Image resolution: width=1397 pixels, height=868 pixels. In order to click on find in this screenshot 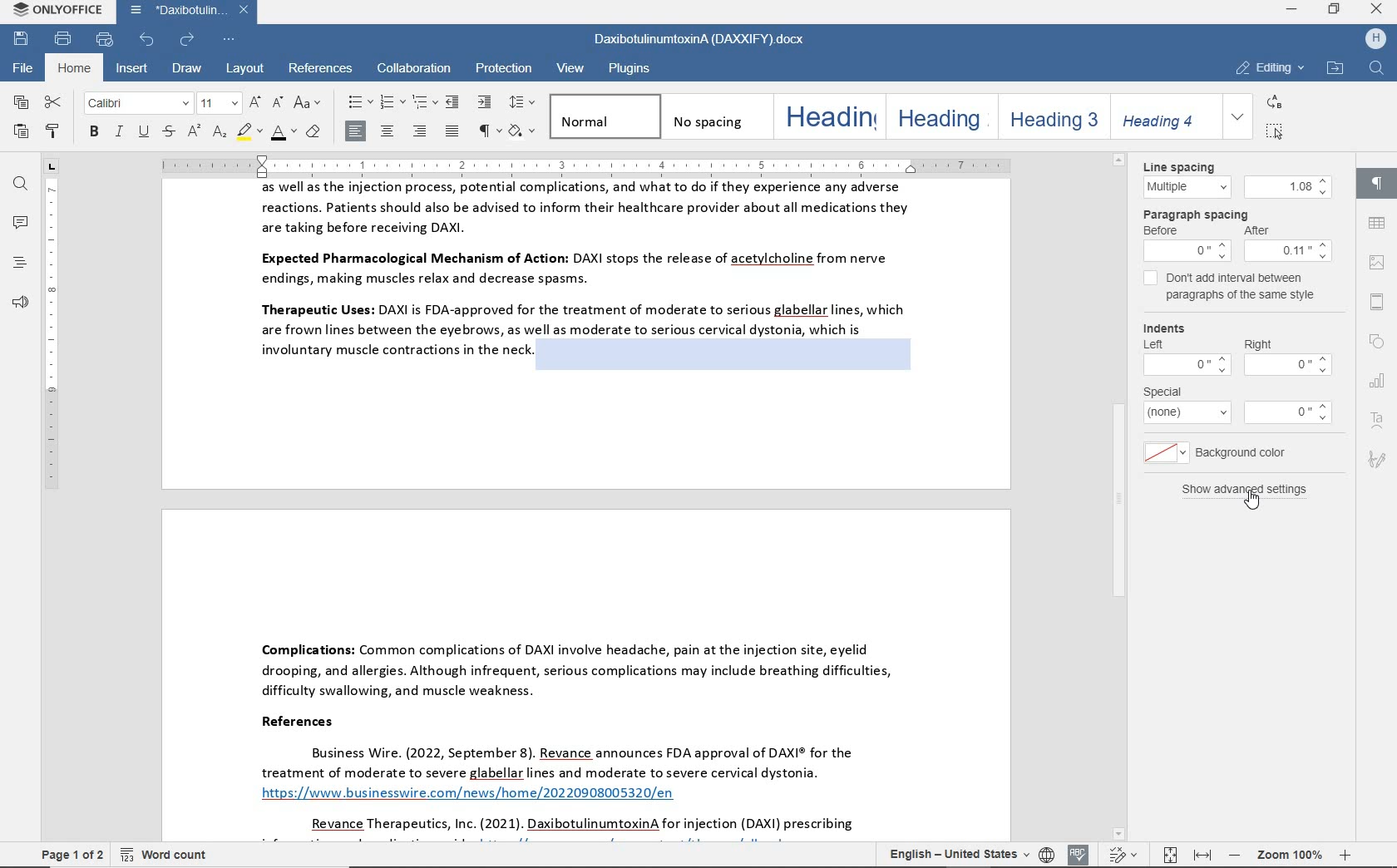, I will do `click(21, 185)`.